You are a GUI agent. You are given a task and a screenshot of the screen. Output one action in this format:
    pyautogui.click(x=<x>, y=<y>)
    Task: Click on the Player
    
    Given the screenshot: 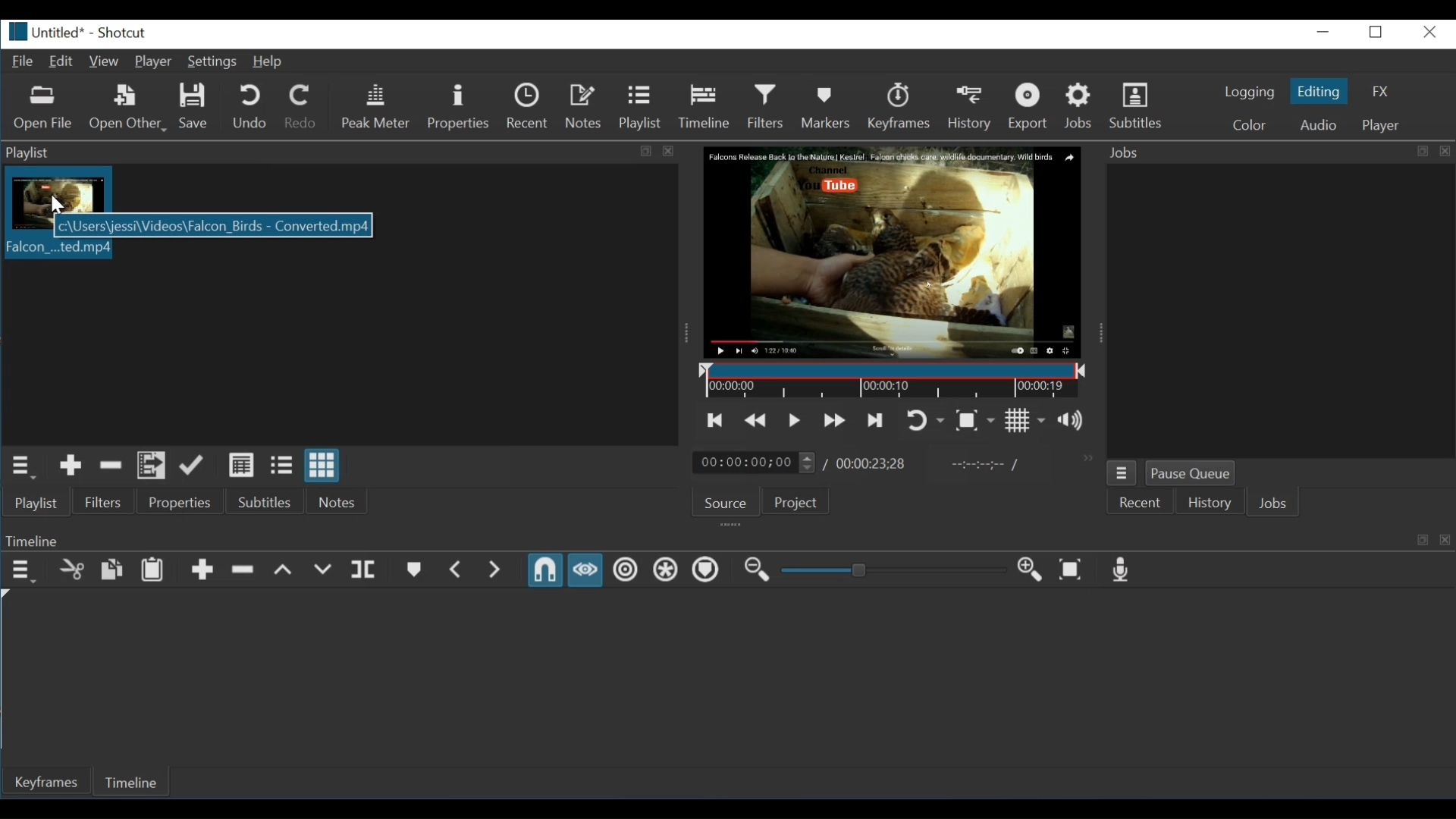 What is the action you would take?
    pyautogui.click(x=1379, y=126)
    